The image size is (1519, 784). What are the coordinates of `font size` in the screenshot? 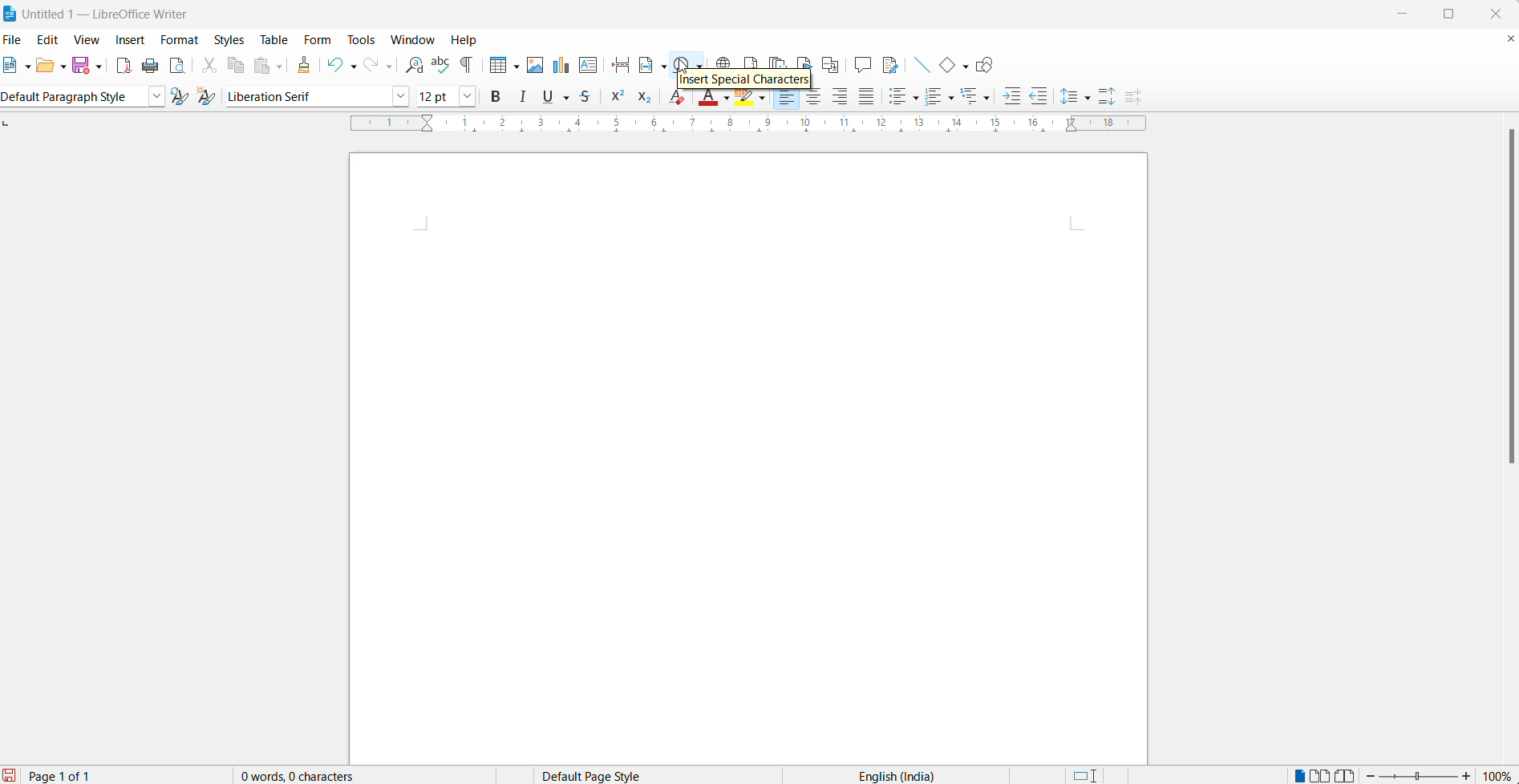 It's located at (436, 95).